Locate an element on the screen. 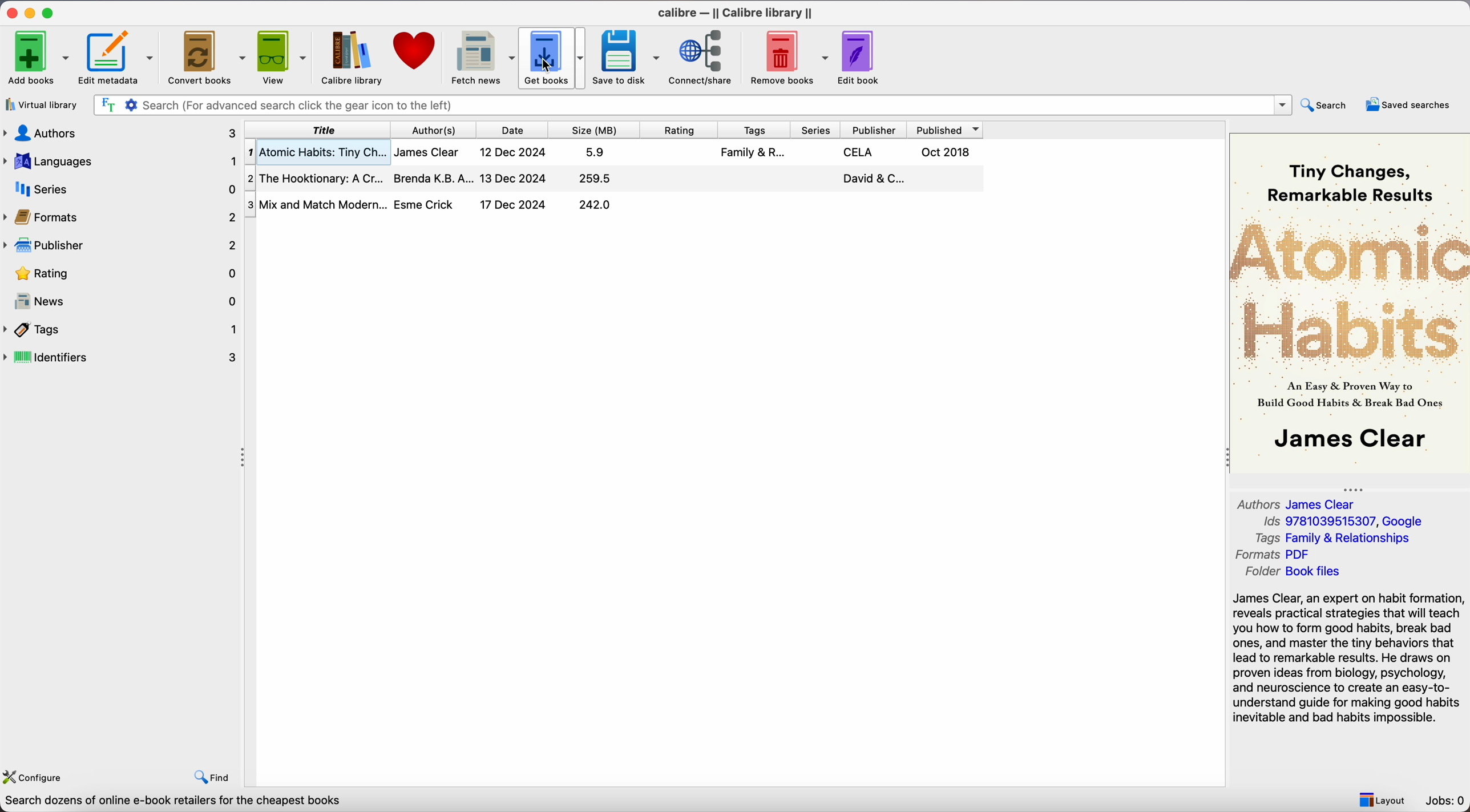 The image size is (1470, 812). Family & R... is located at coordinates (754, 152).